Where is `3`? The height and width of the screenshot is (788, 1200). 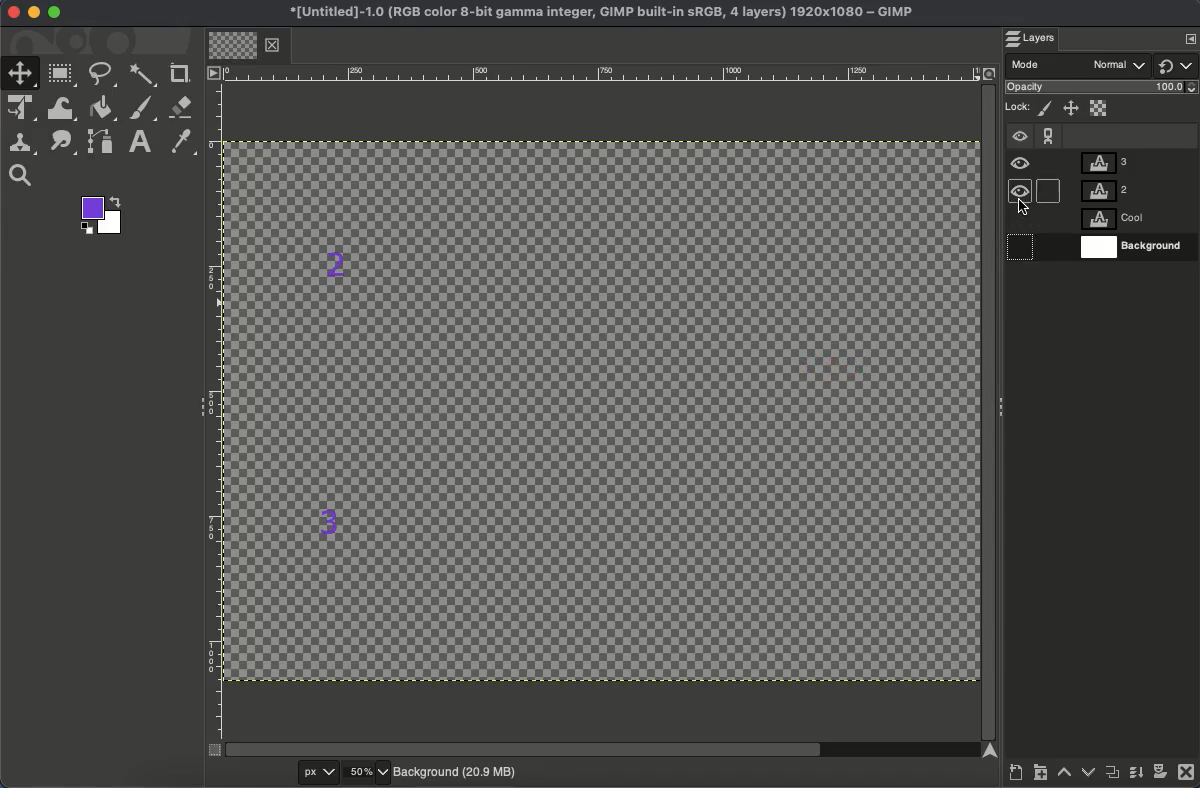 3 is located at coordinates (331, 521).